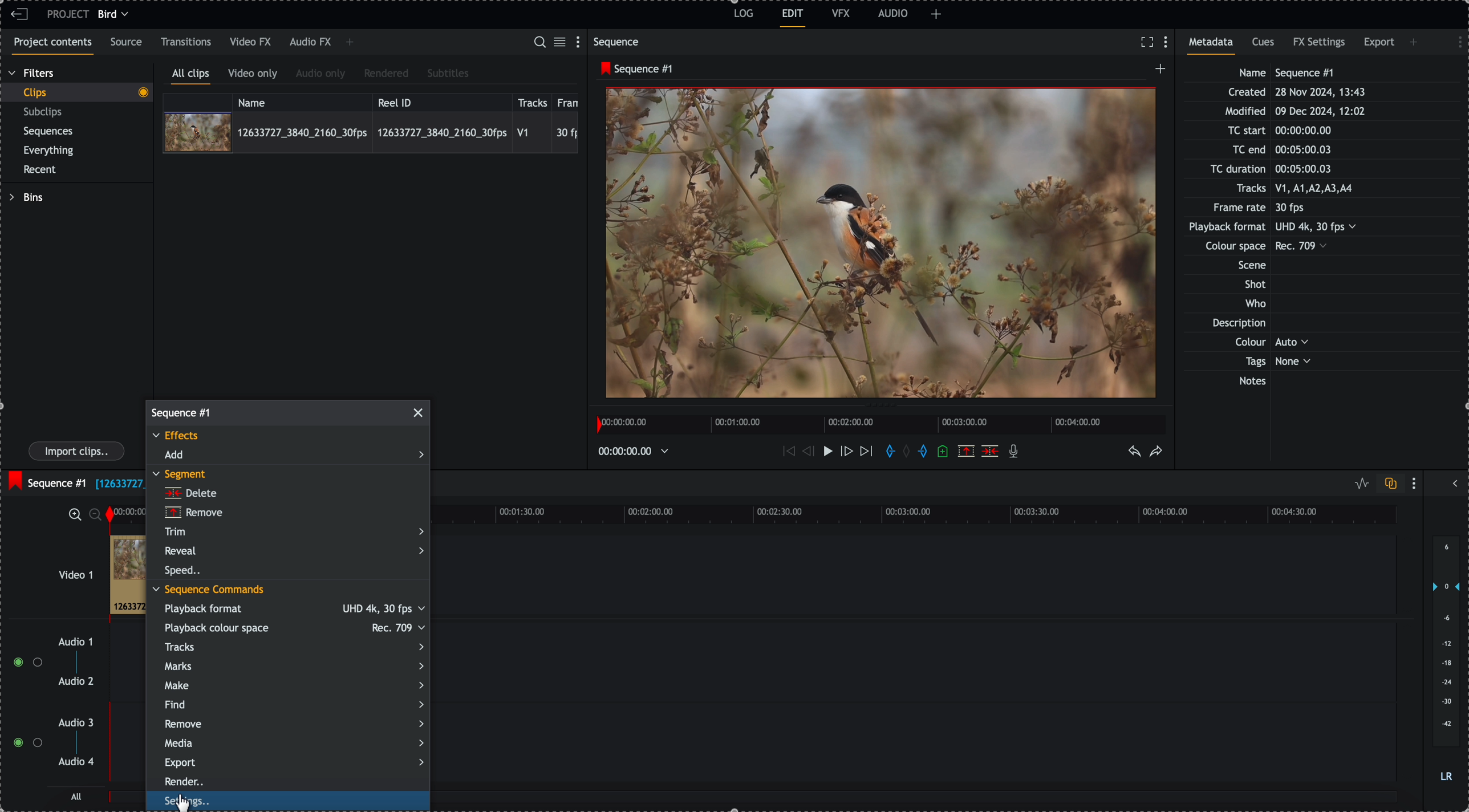 The width and height of the screenshot is (1469, 812). What do you see at coordinates (1445, 660) in the screenshot?
I see `audio output level (d/B)` at bounding box center [1445, 660].